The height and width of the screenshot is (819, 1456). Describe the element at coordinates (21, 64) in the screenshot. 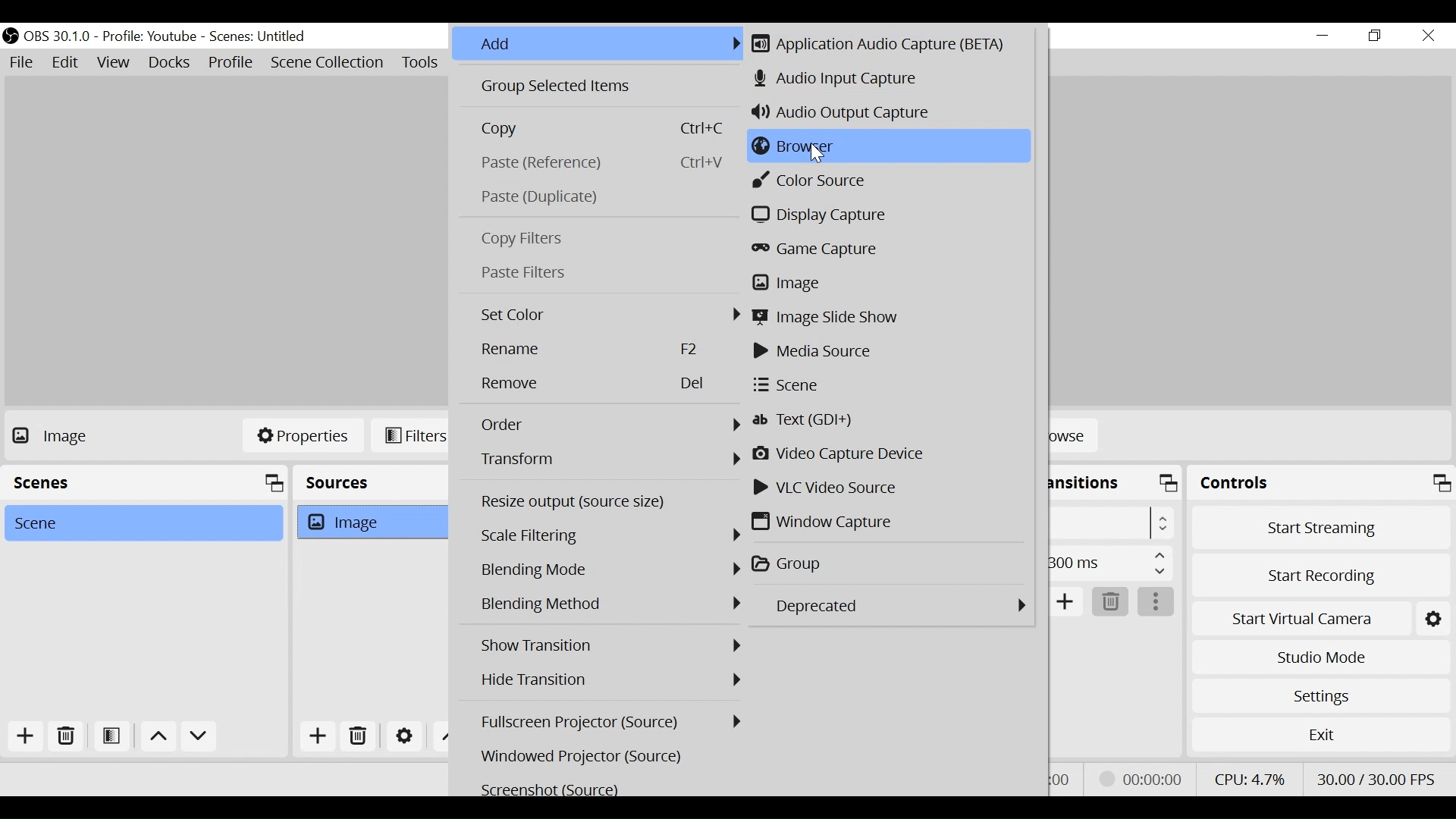

I see `File` at that location.